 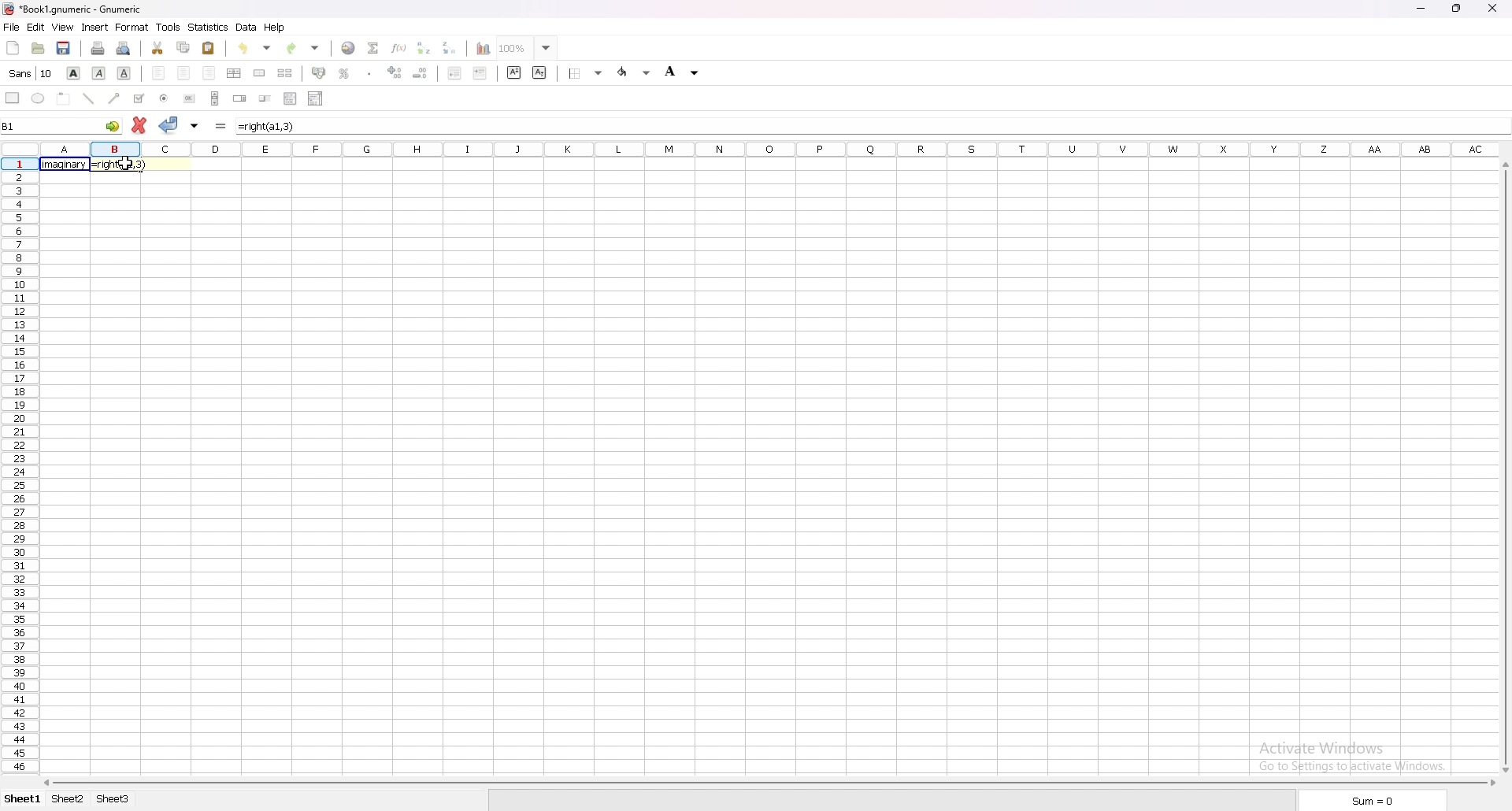 What do you see at coordinates (319, 74) in the screenshot?
I see `accounting` at bounding box center [319, 74].